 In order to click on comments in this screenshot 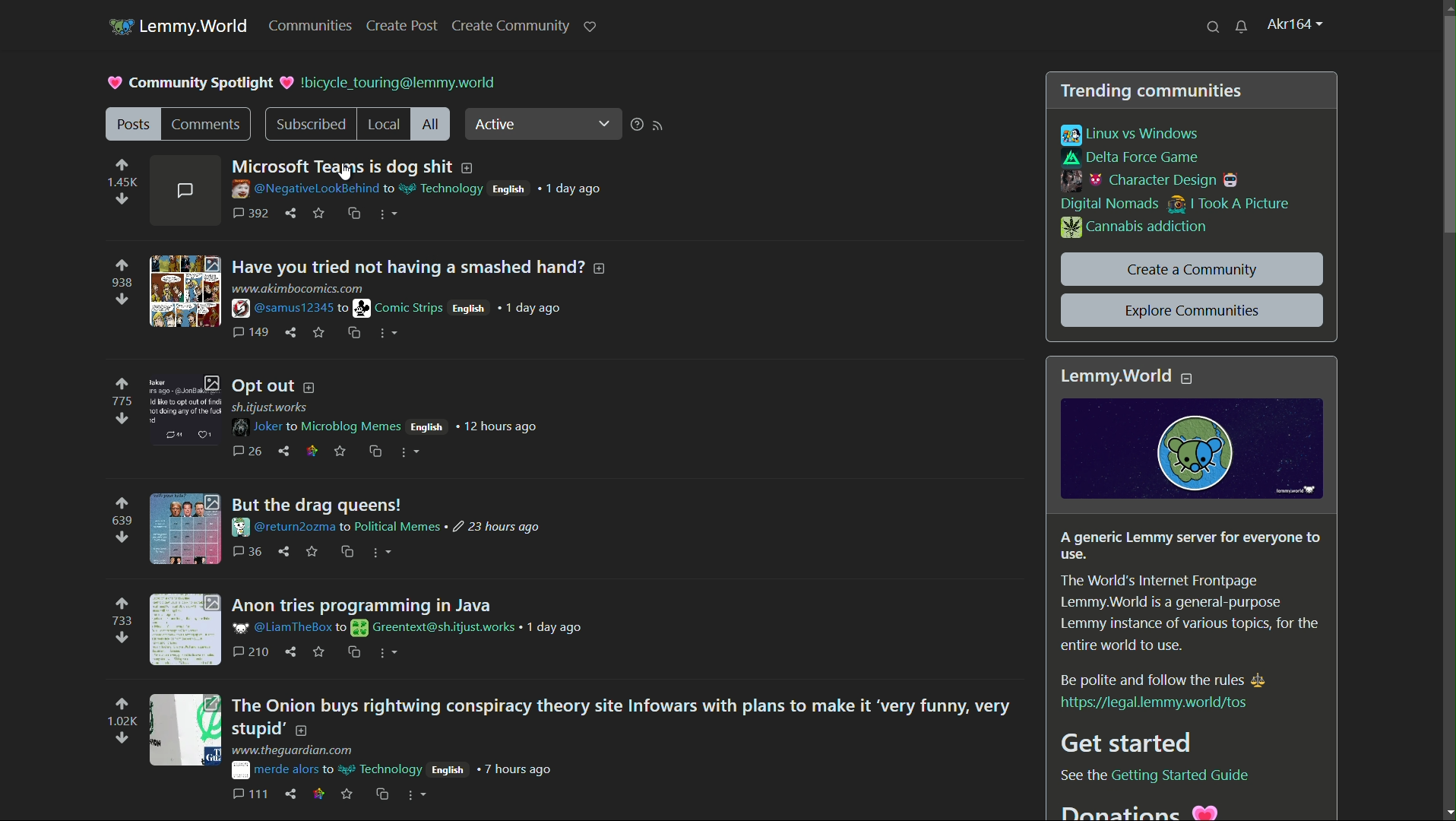, I will do `click(252, 650)`.